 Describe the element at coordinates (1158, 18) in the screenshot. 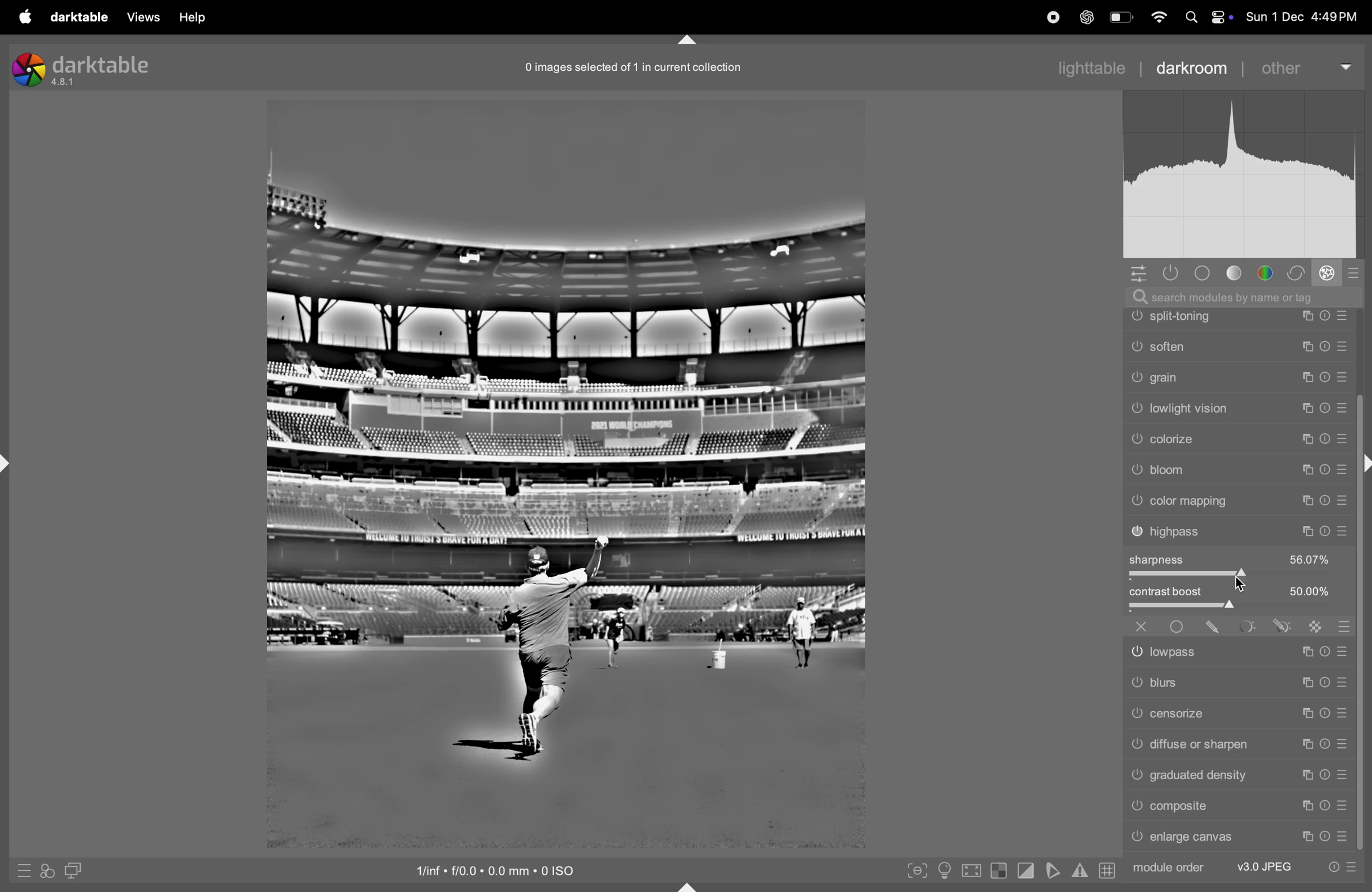

I see `wifi` at that location.